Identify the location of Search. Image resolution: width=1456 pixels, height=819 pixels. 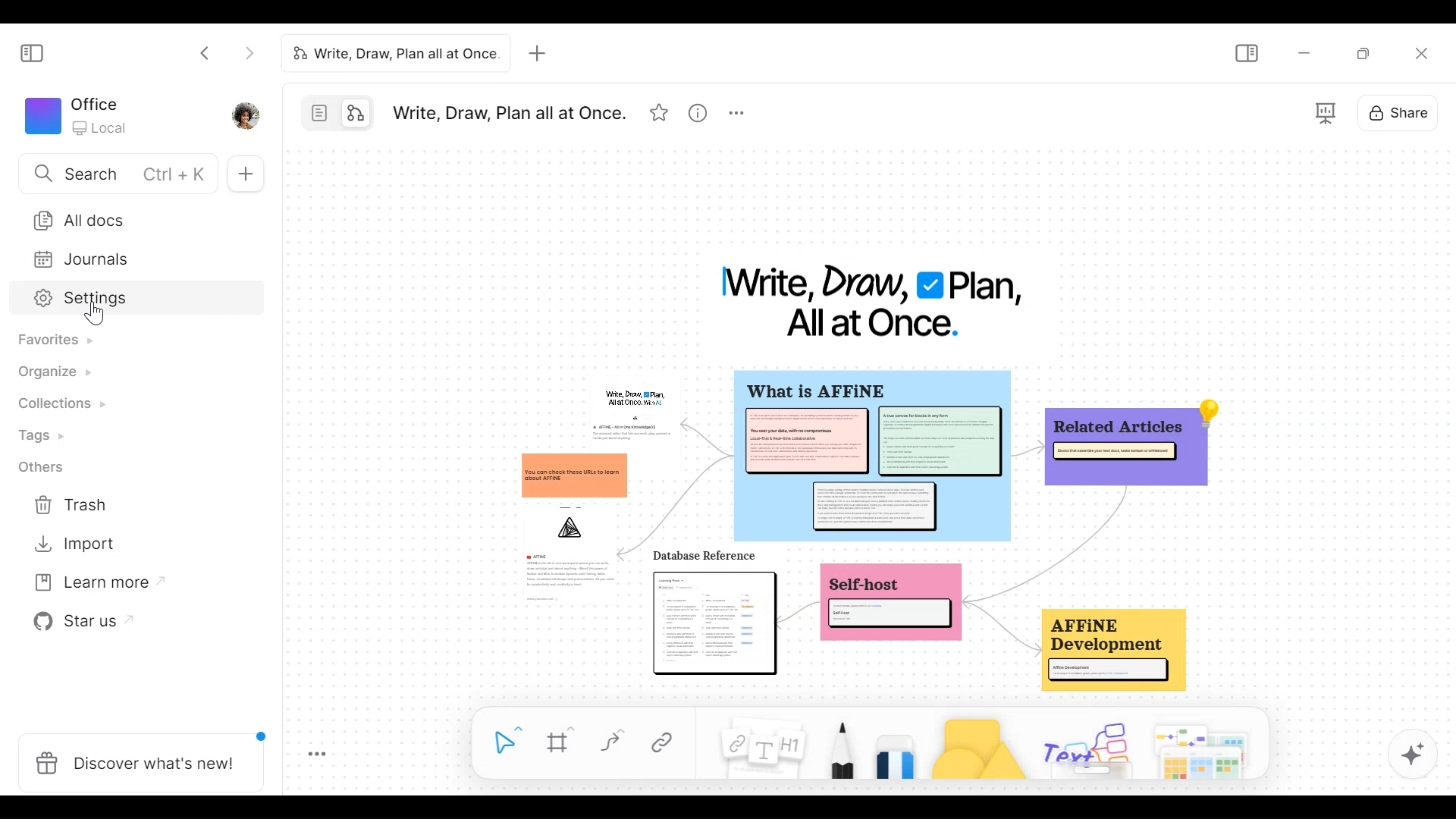
(116, 174).